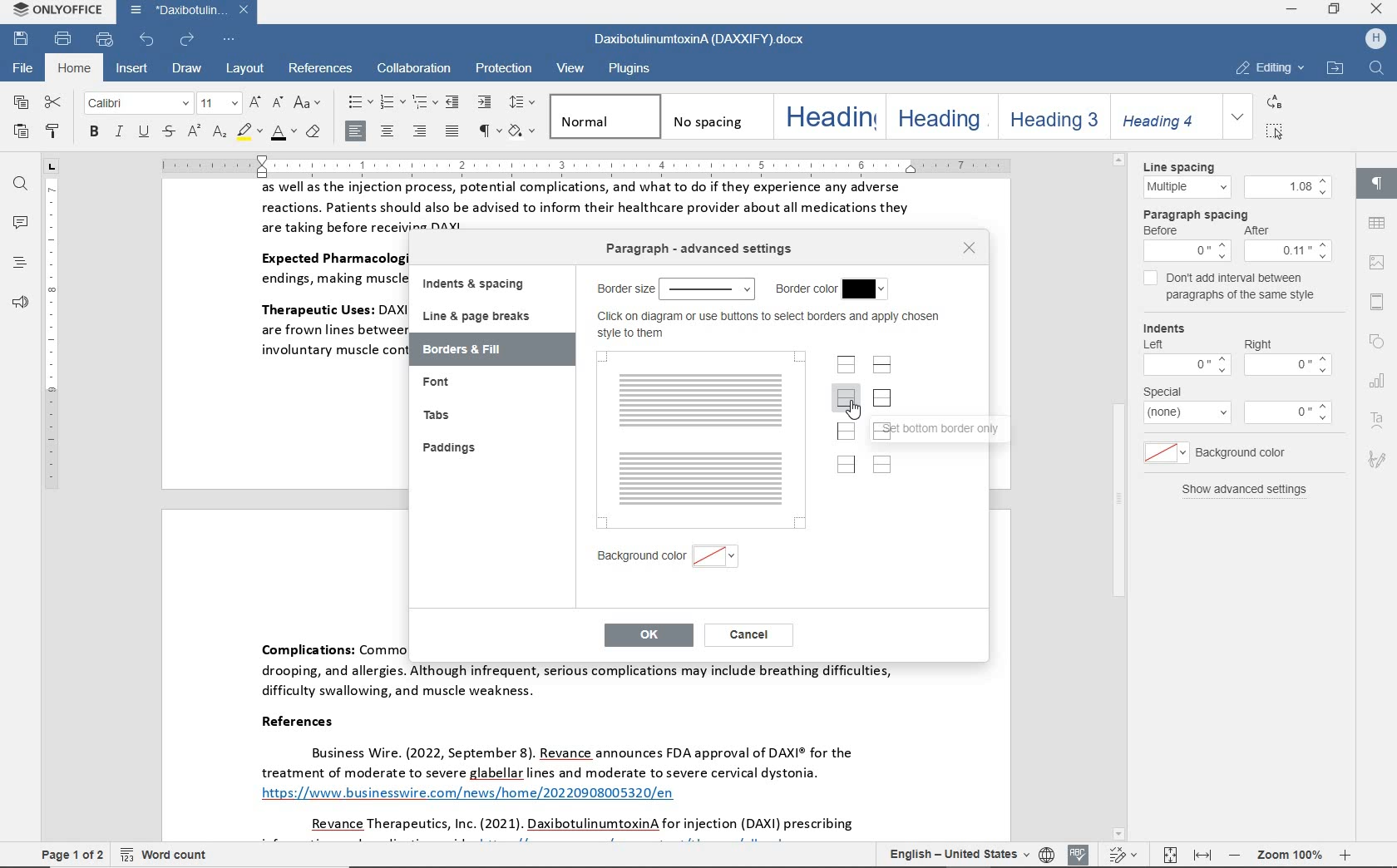  Describe the element at coordinates (697, 41) in the screenshot. I see `document name` at that location.